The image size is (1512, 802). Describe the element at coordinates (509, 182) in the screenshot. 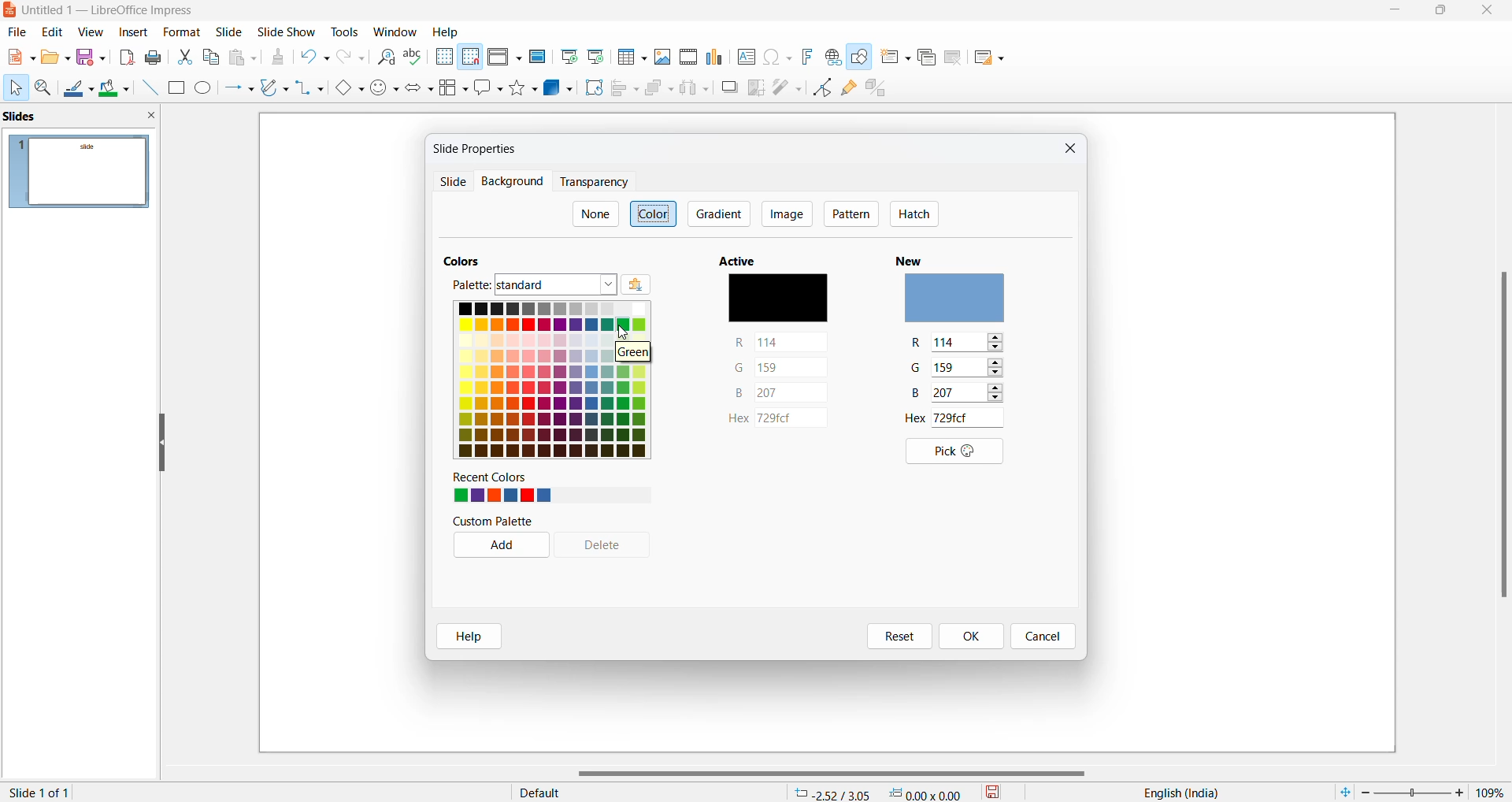

I see `background` at that location.